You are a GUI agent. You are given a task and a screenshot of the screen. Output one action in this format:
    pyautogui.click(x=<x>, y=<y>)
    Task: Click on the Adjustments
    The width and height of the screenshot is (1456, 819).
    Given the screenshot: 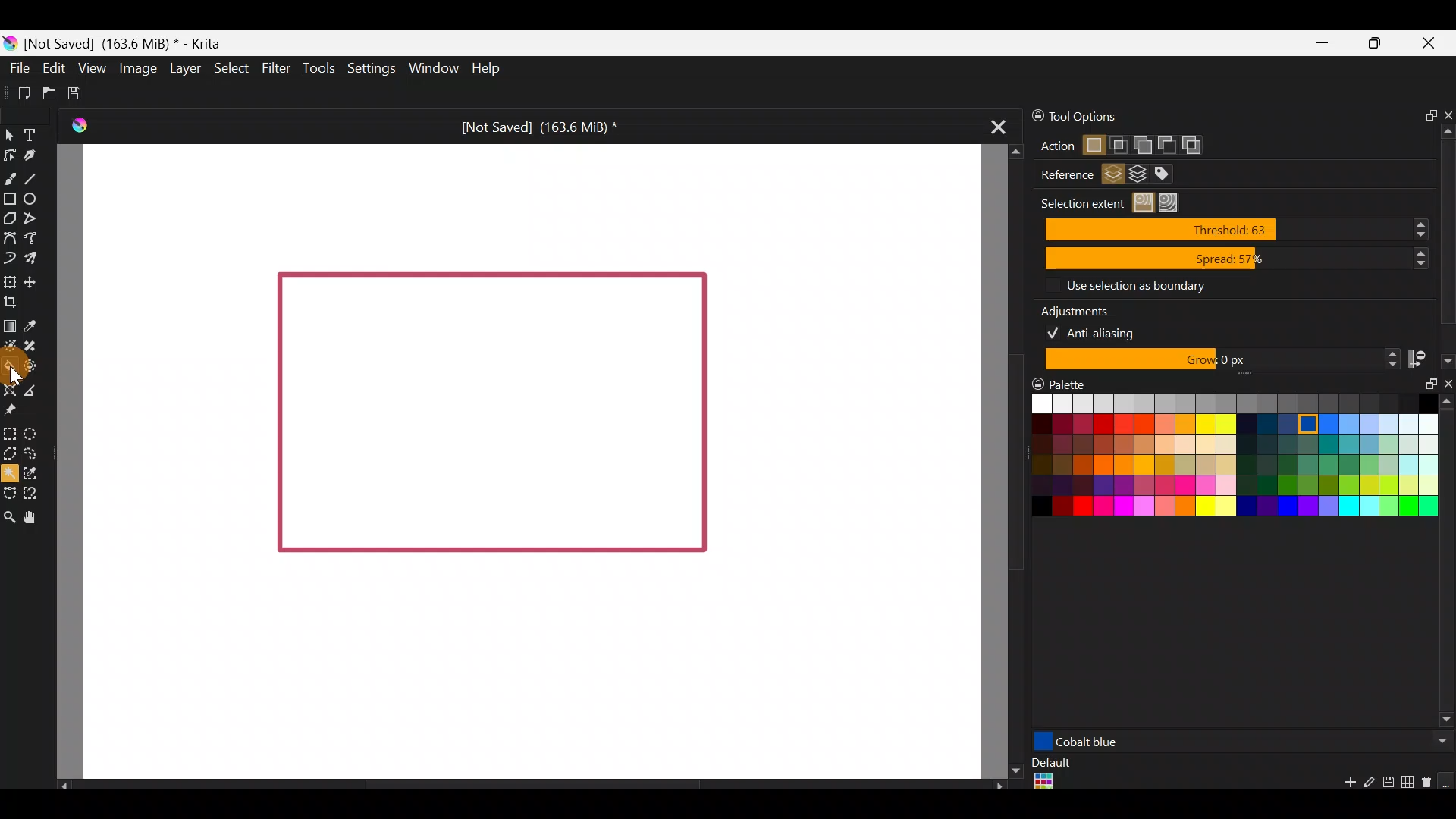 What is the action you would take?
    pyautogui.click(x=1084, y=309)
    